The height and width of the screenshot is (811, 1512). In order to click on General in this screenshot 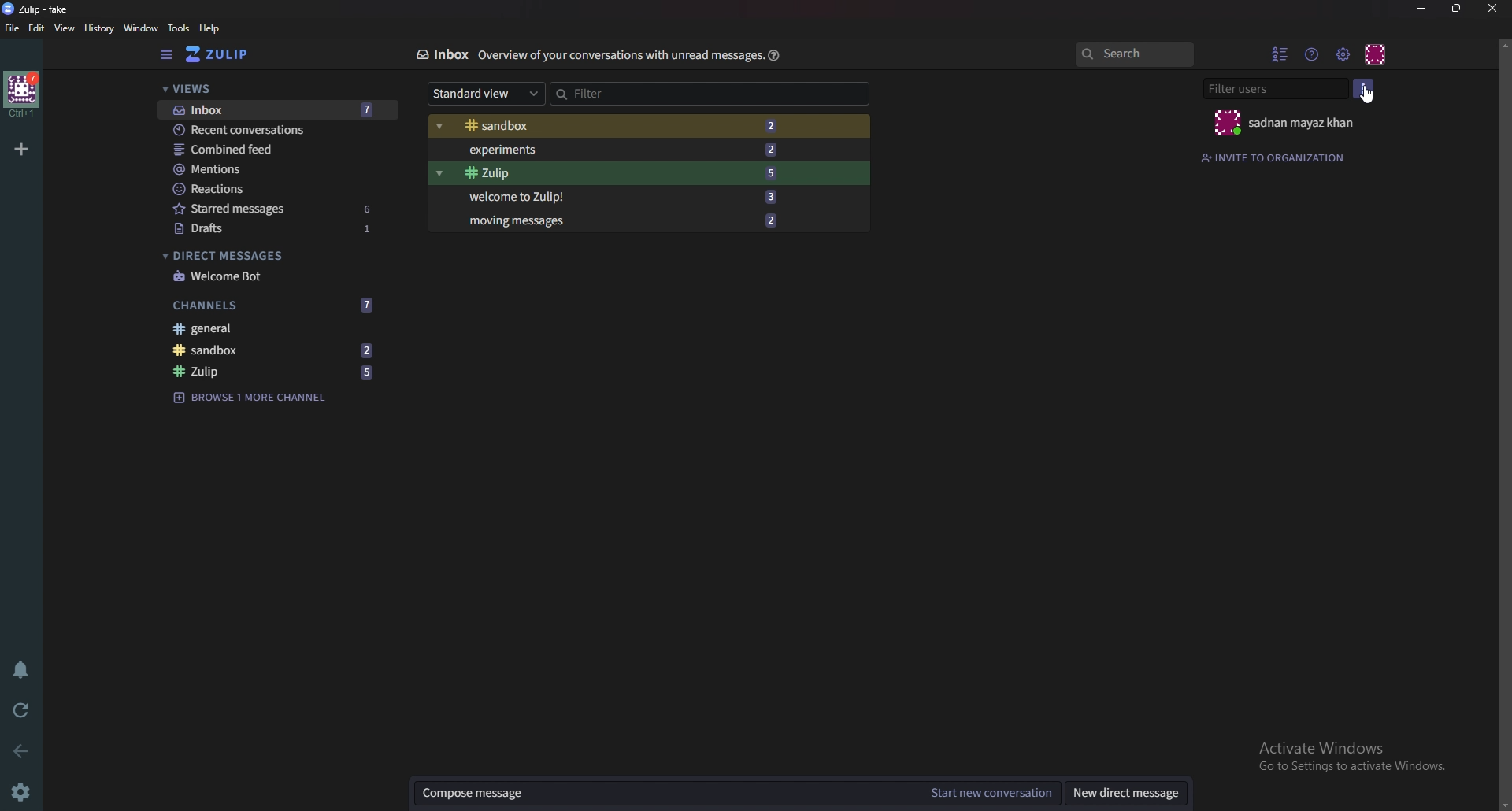, I will do `click(272, 328)`.